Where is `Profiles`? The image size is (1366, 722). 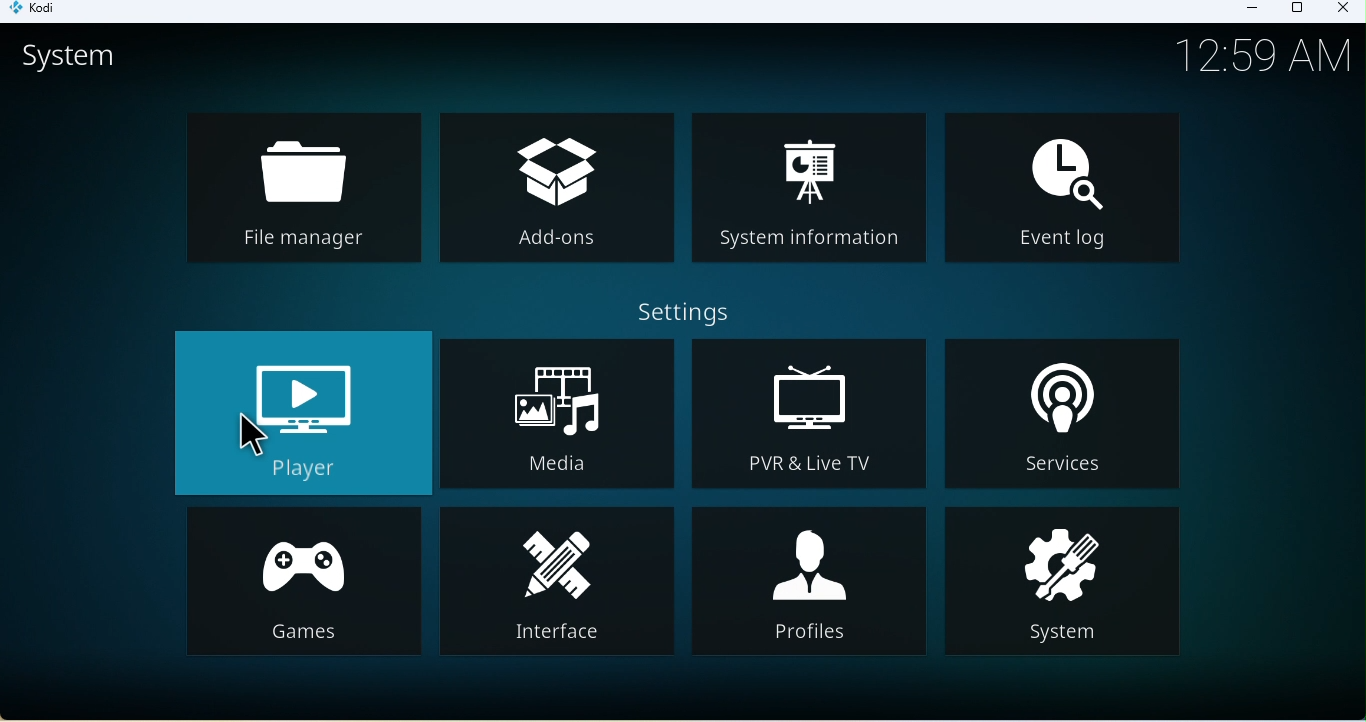
Profiles is located at coordinates (813, 587).